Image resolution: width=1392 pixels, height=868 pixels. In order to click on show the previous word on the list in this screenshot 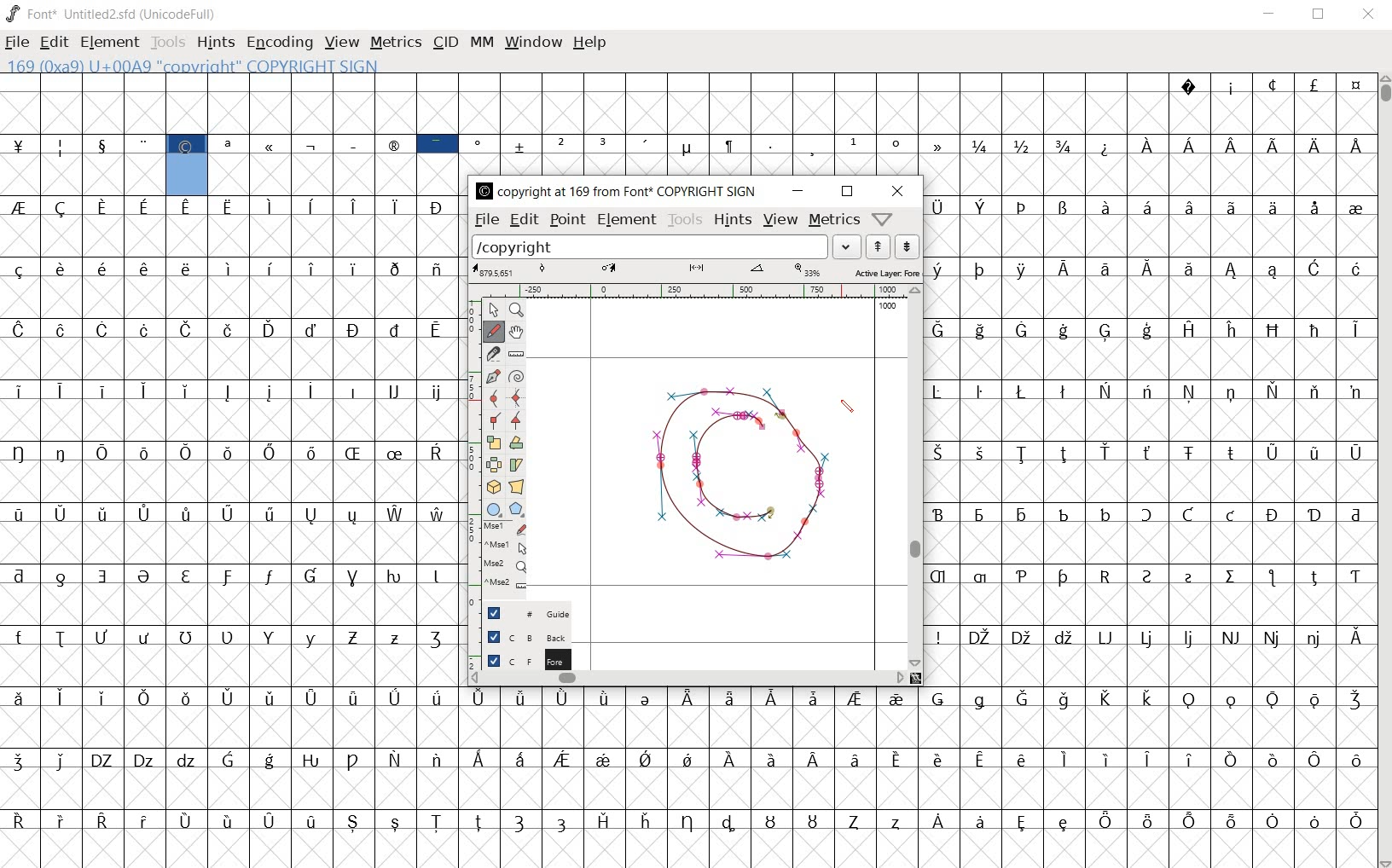, I will do `click(906, 246)`.